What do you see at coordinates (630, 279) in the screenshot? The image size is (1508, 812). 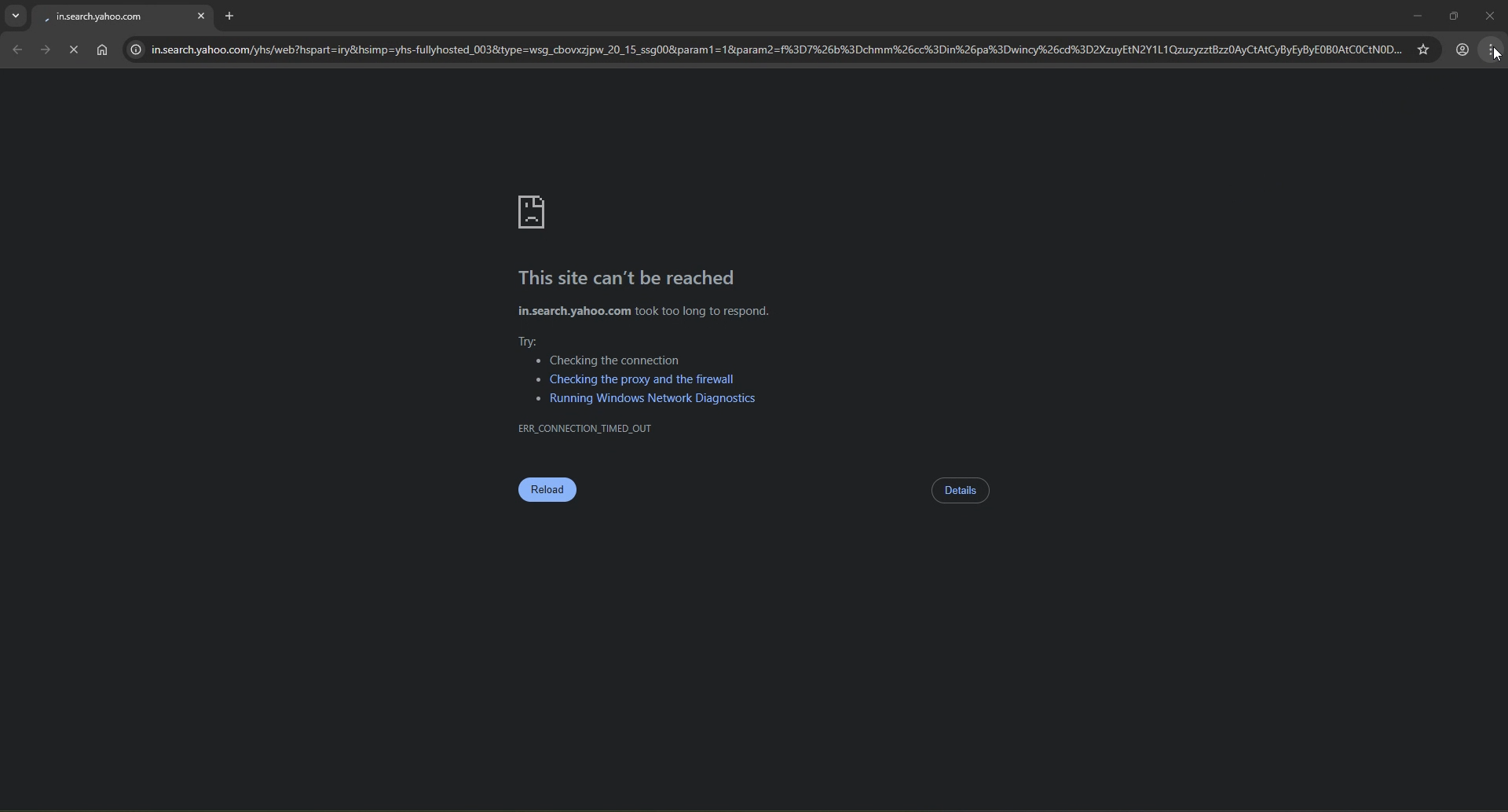 I see `This site can’t be reached` at bounding box center [630, 279].